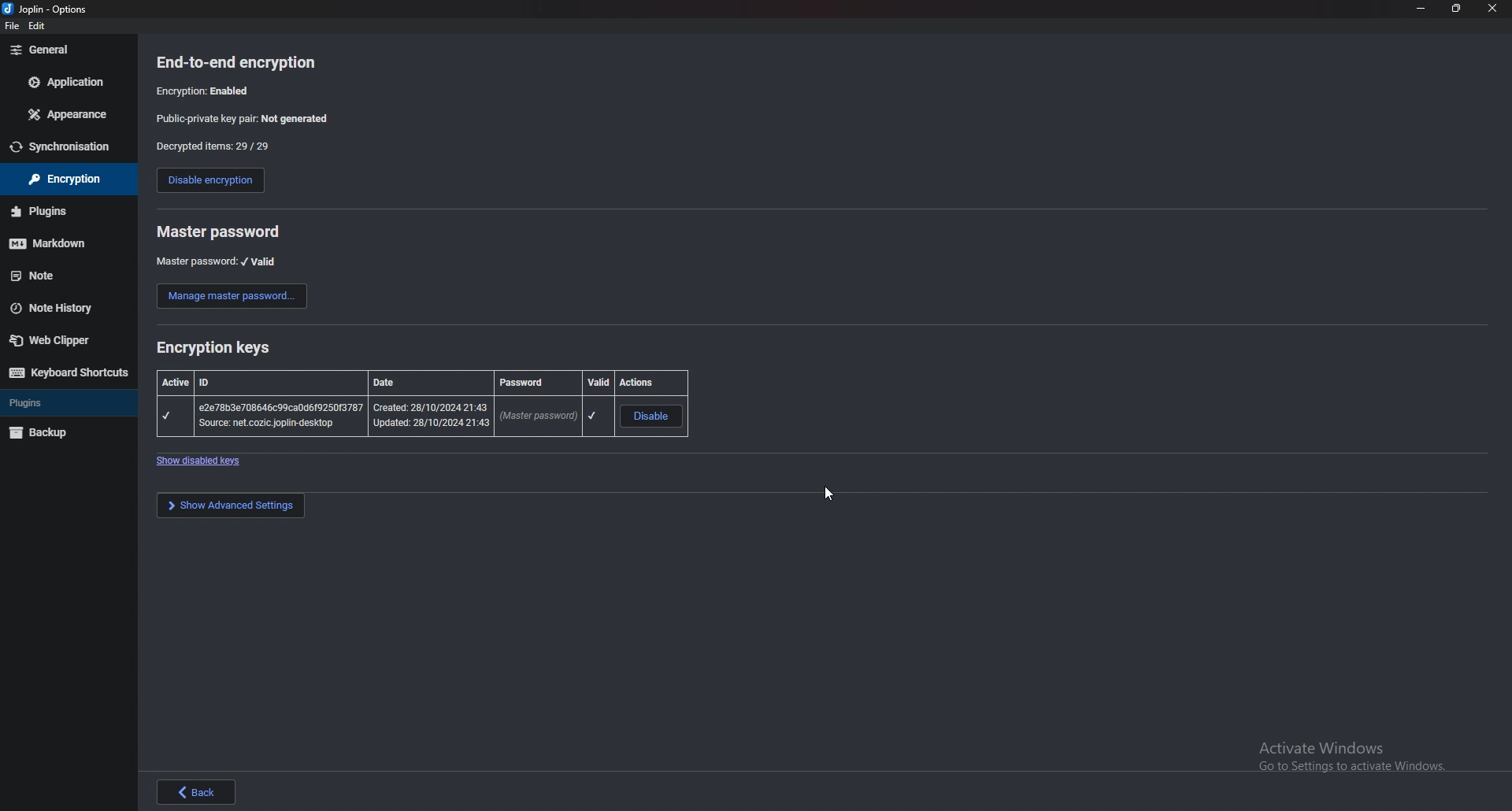 Image resolution: width=1512 pixels, height=811 pixels. Describe the element at coordinates (58, 147) in the screenshot. I see `` at that location.